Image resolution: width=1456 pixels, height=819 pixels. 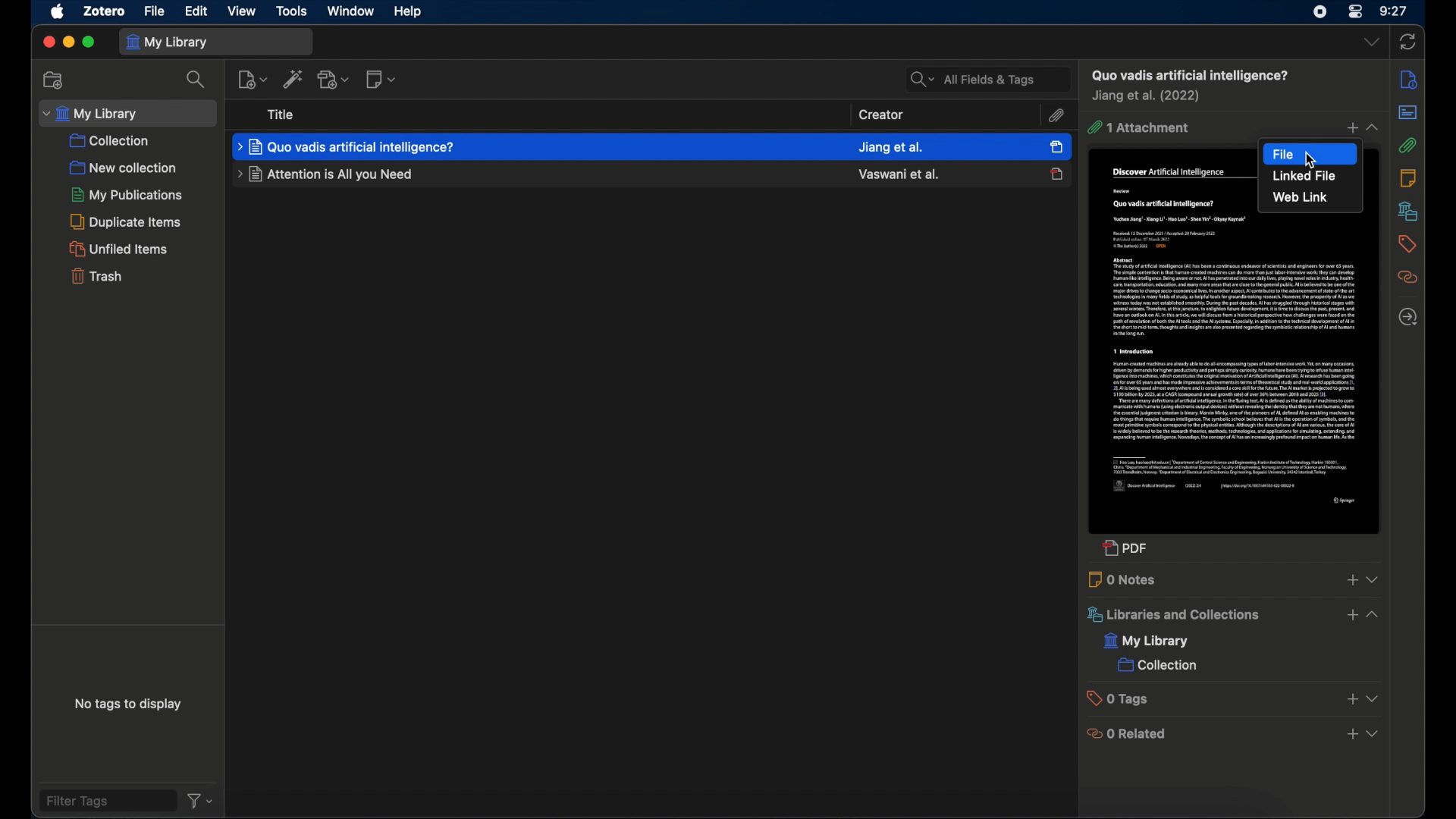 What do you see at coordinates (1408, 79) in the screenshot?
I see `info` at bounding box center [1408, 79].